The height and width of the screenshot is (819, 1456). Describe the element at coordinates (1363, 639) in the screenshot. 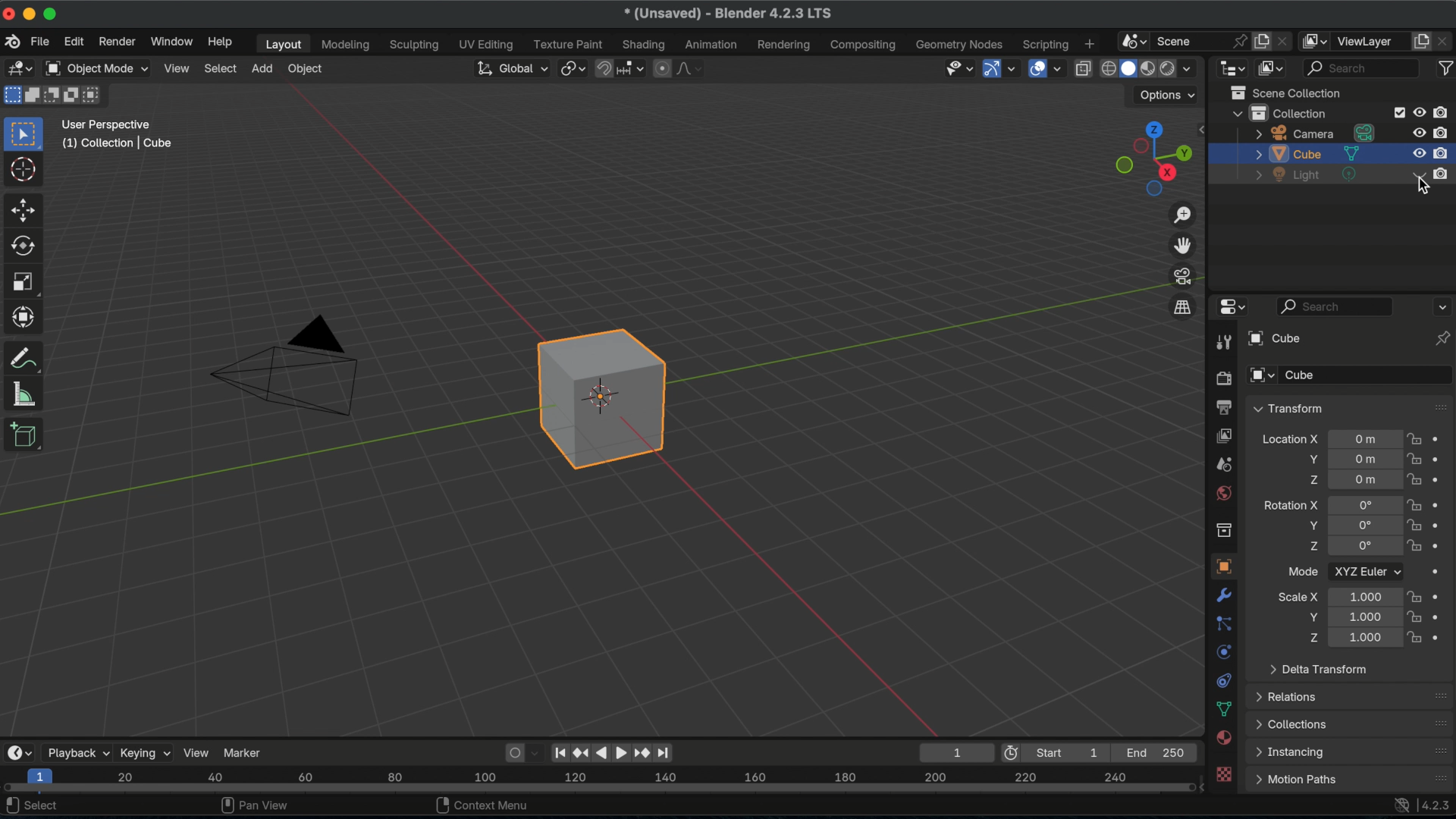

I see `location scale` at that location.